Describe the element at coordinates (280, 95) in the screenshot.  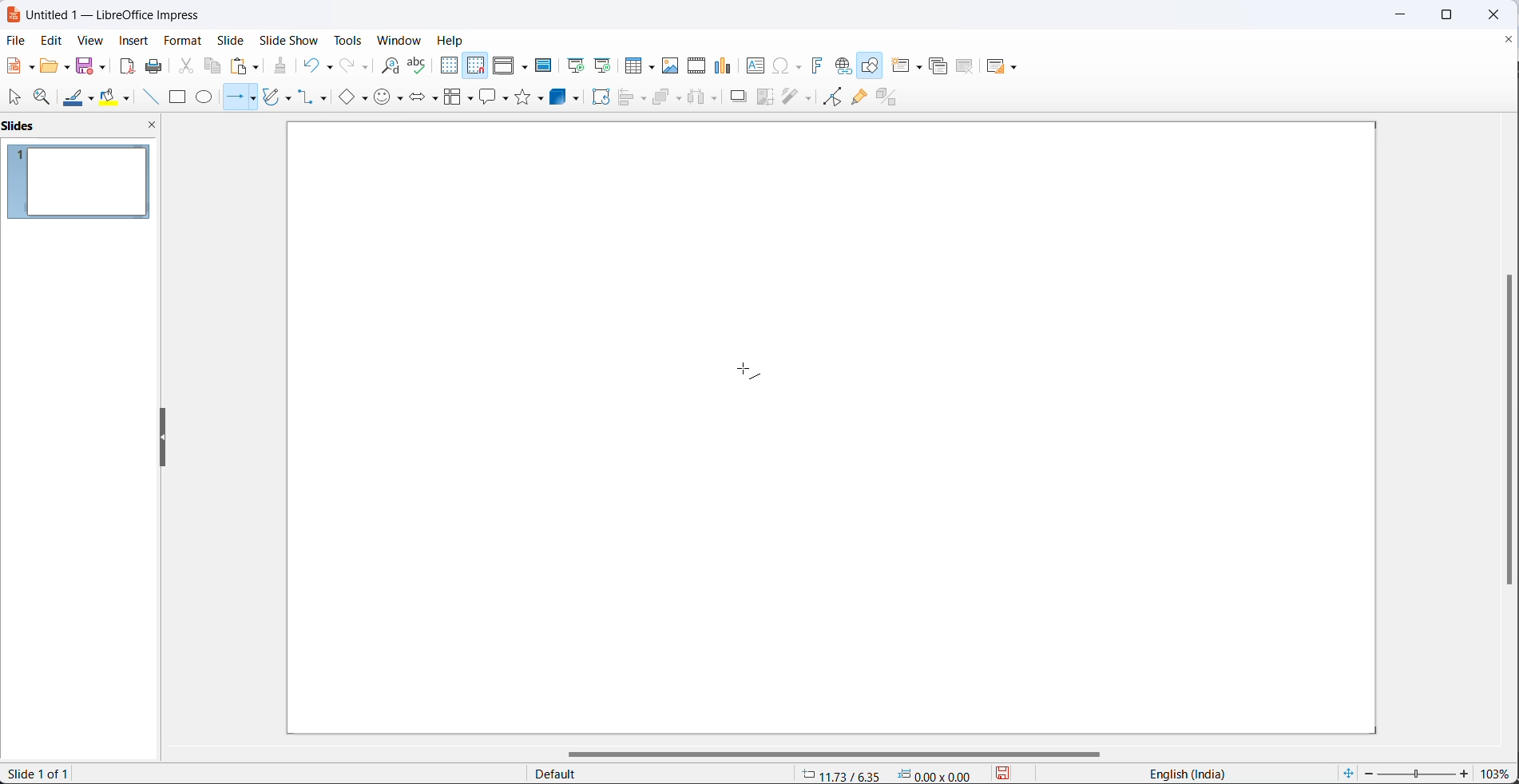
I see `curve and polygons` at that location.